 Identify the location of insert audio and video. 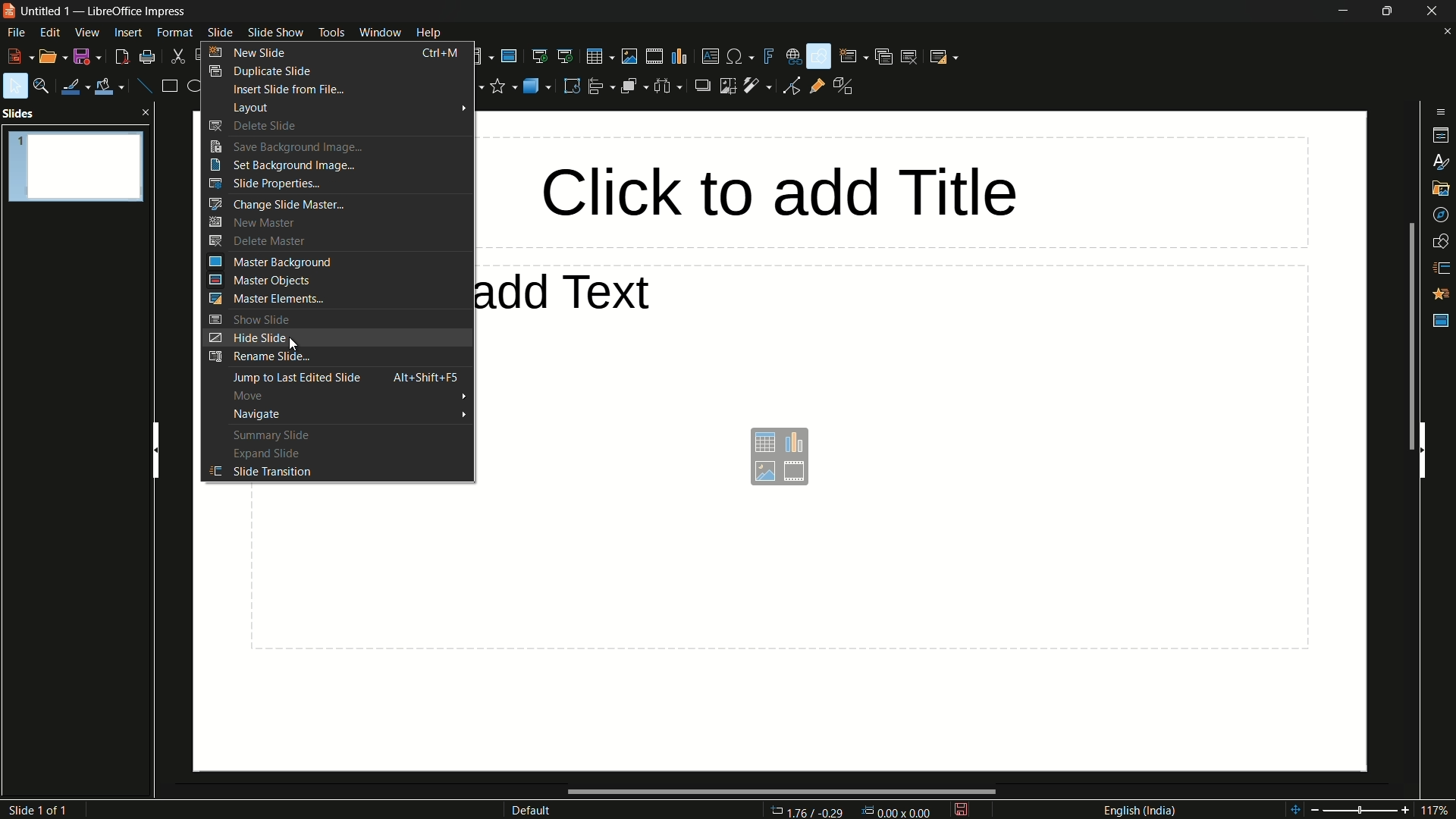
(795, 473).